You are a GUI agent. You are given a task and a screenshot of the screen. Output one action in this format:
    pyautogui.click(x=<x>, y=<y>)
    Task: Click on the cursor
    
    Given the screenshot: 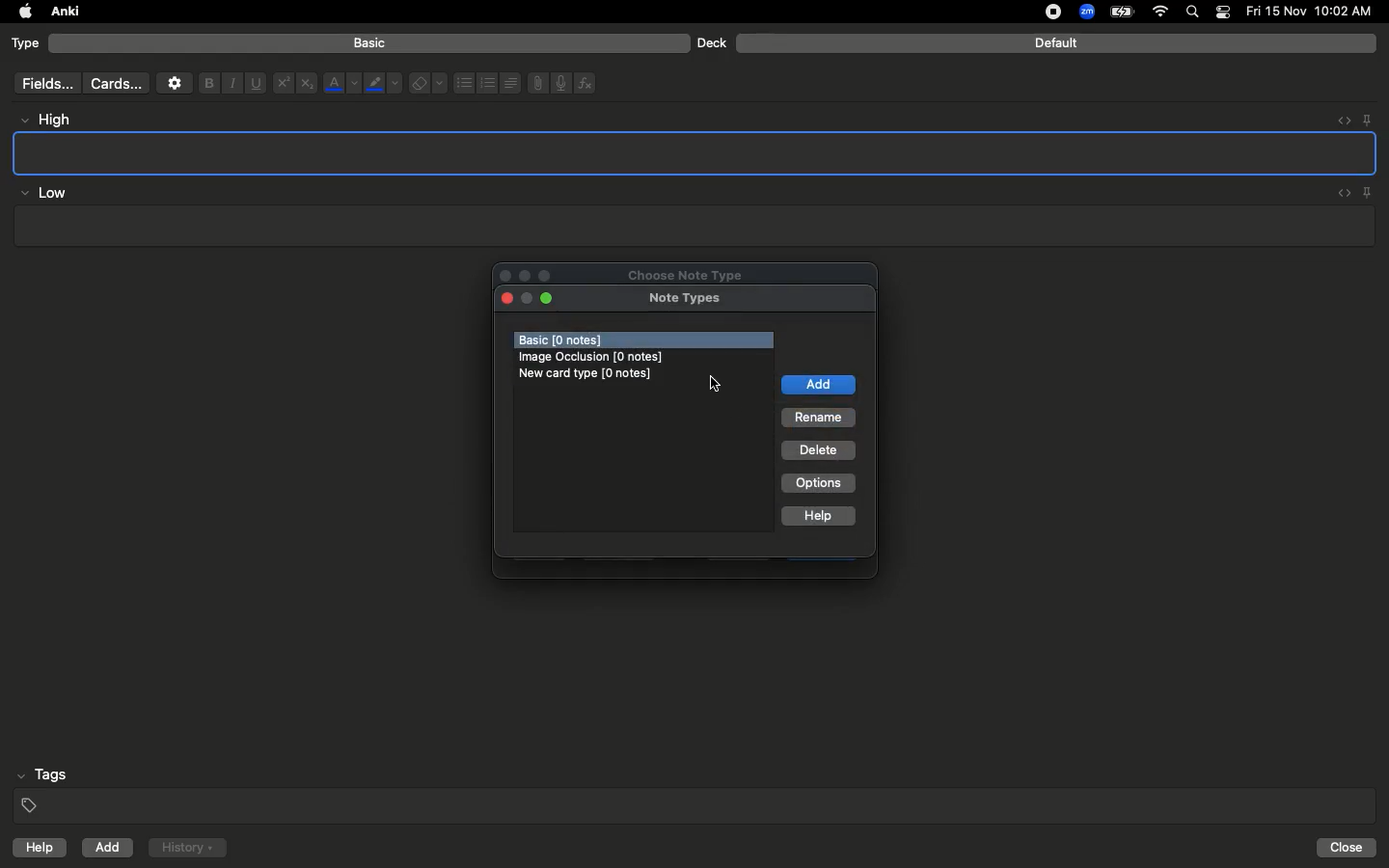 What is the action you would take?
    pyautogui.click(x=719, y=383)
    